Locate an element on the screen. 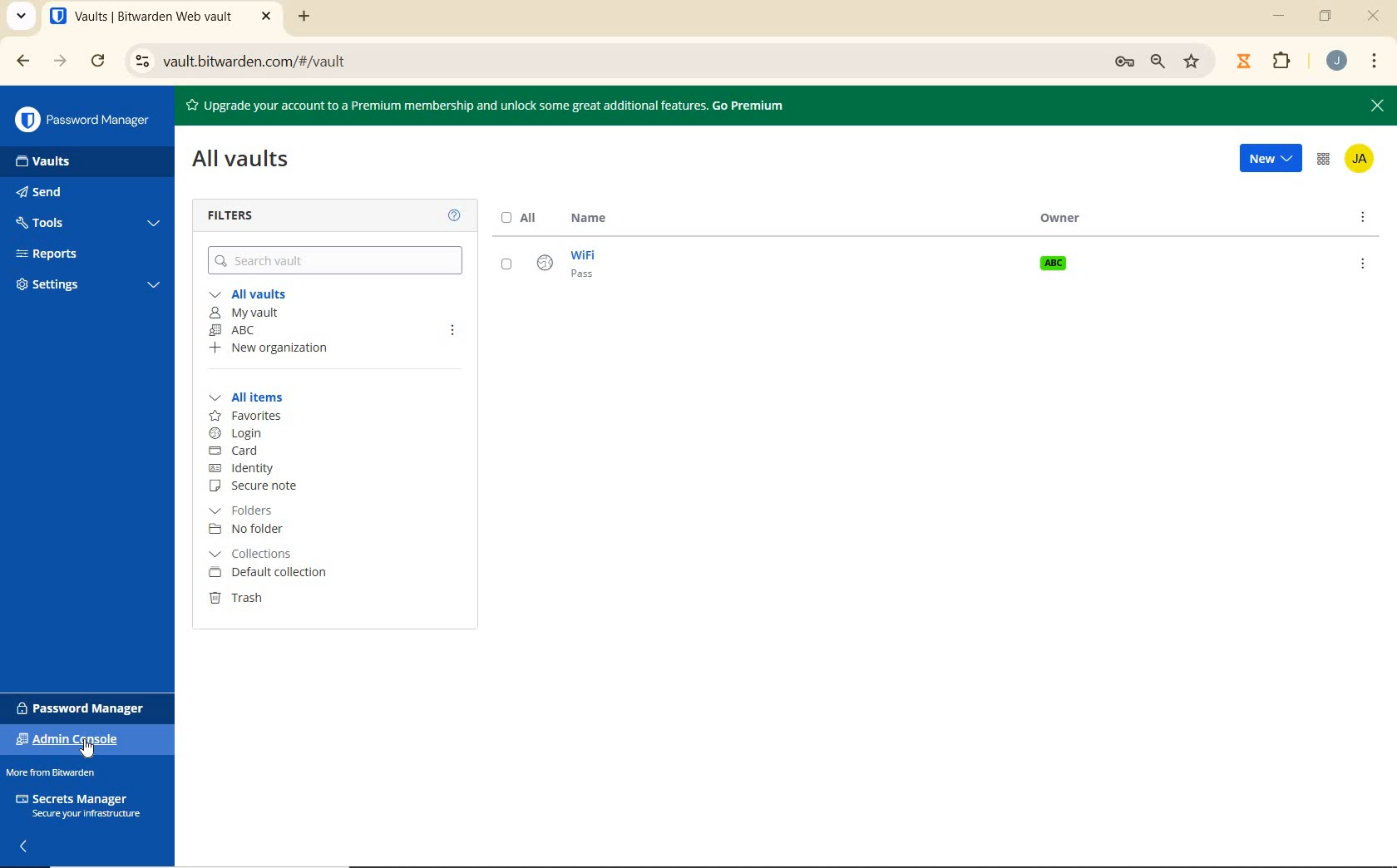 The image size is (1397, 868). NEW ORGANIZATION is located at coordinates (282, 348).